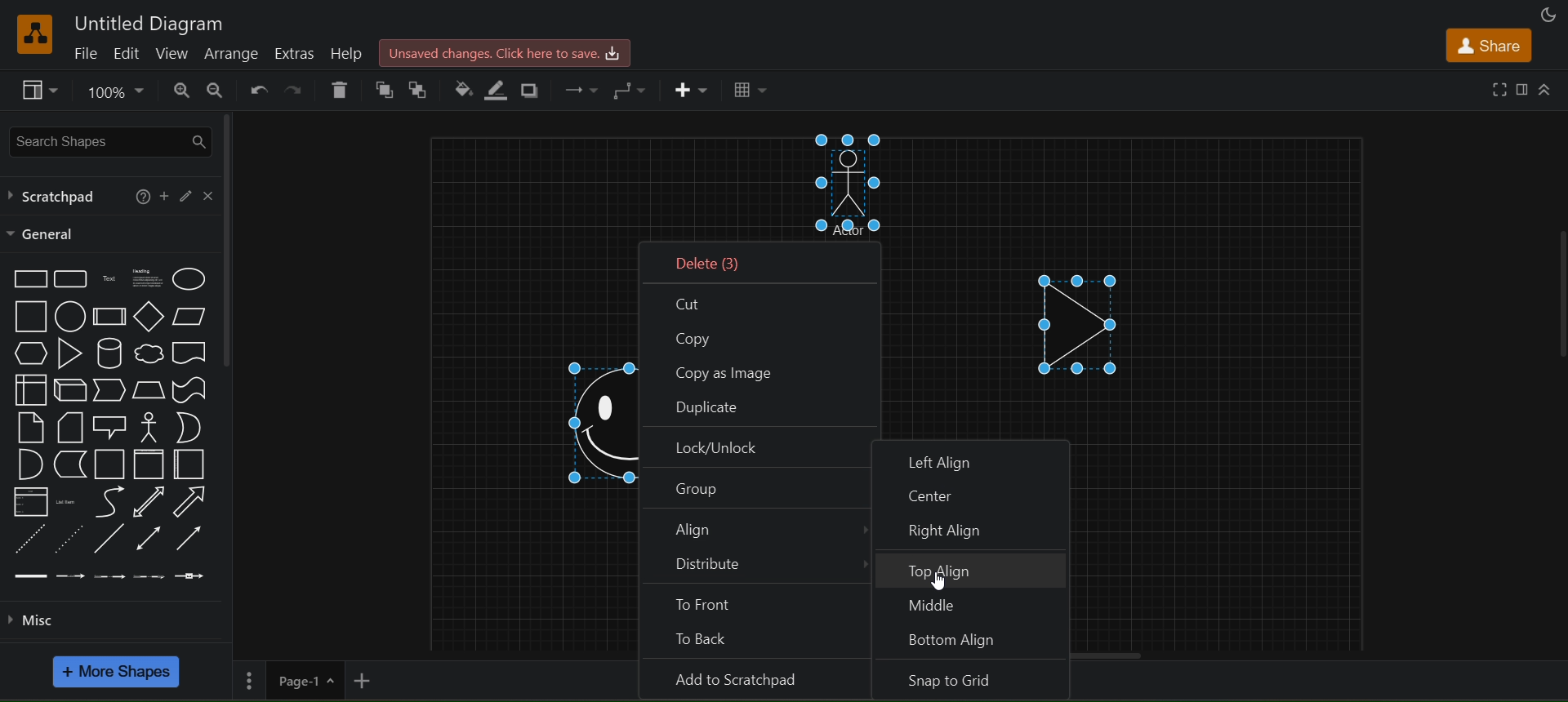 This screenshot has height=702, width=1568. I want to click on insert , so click(693, 91).